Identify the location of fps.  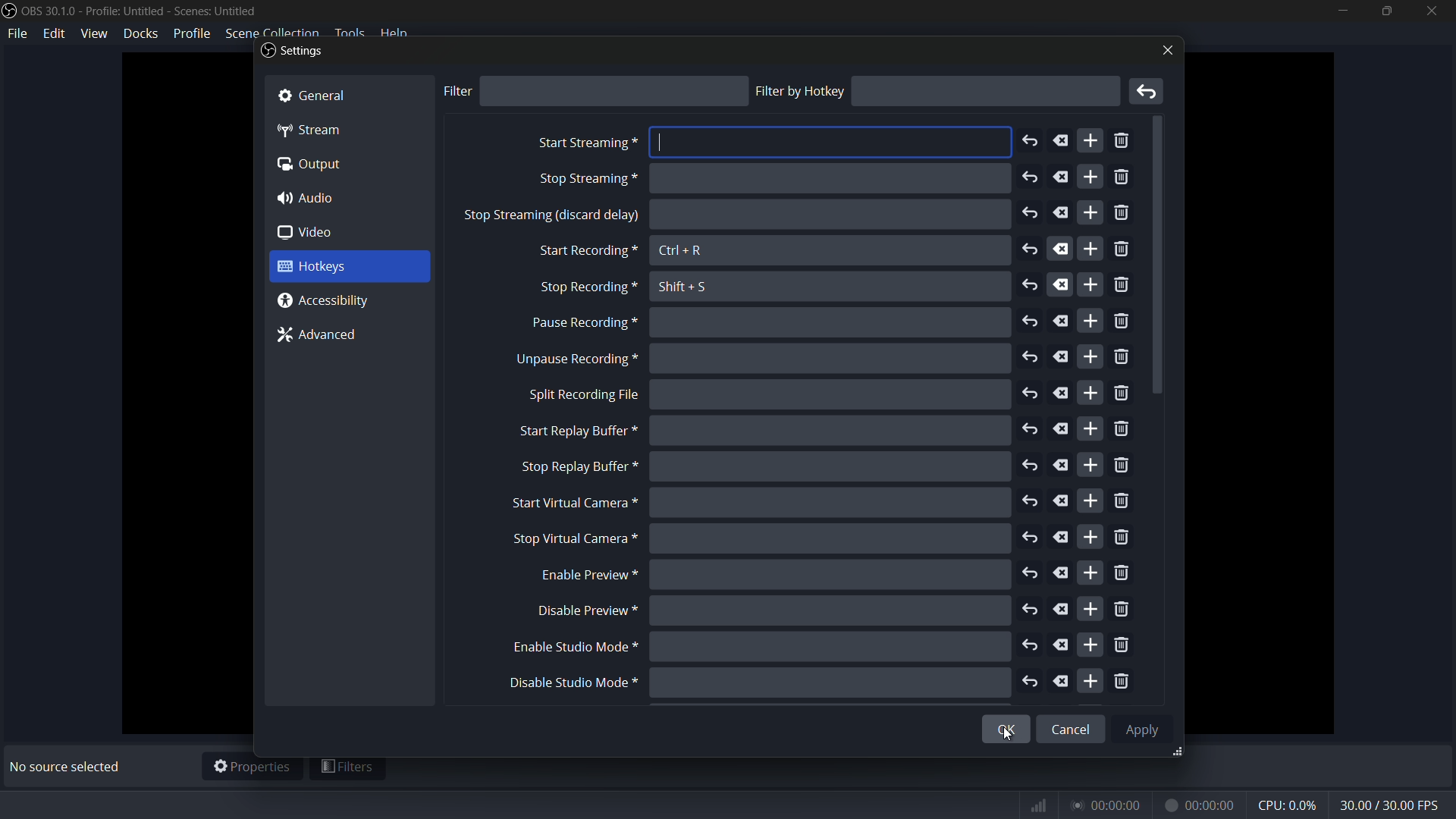
(1391, 806).